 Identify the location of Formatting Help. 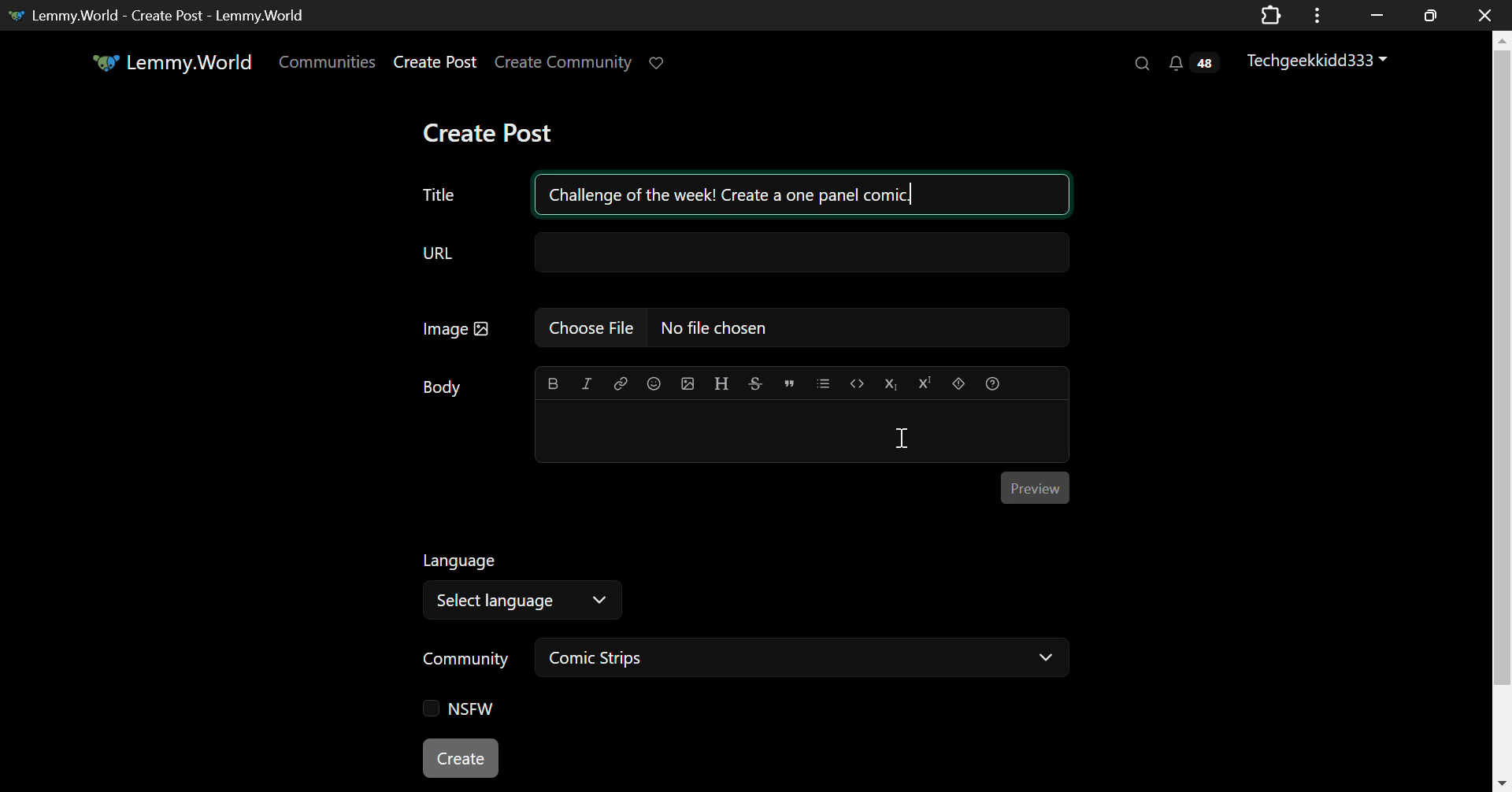
(992, 381).